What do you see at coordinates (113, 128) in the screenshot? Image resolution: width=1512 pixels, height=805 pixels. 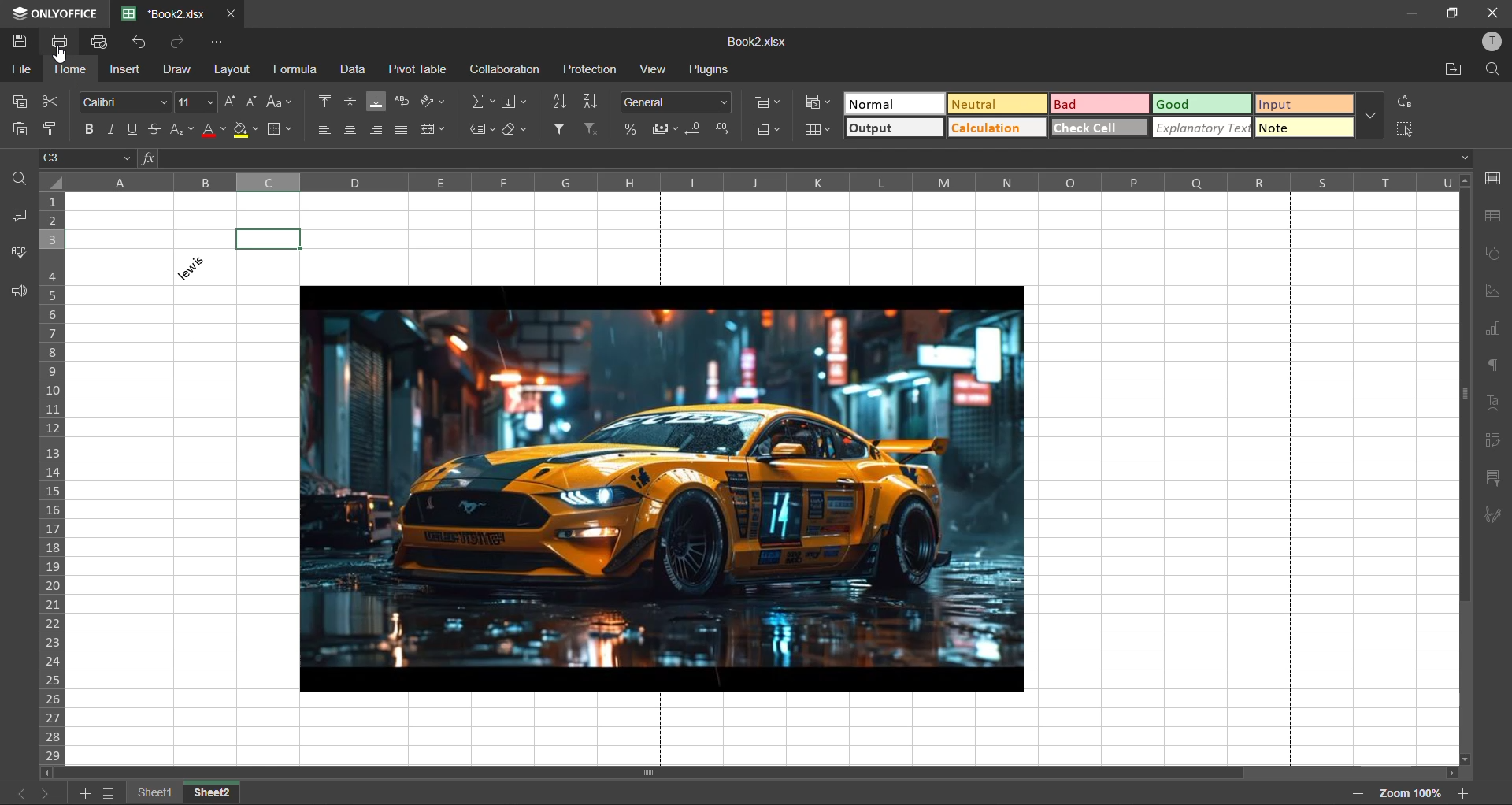 I see `italic` at bounding box center [113, 128].